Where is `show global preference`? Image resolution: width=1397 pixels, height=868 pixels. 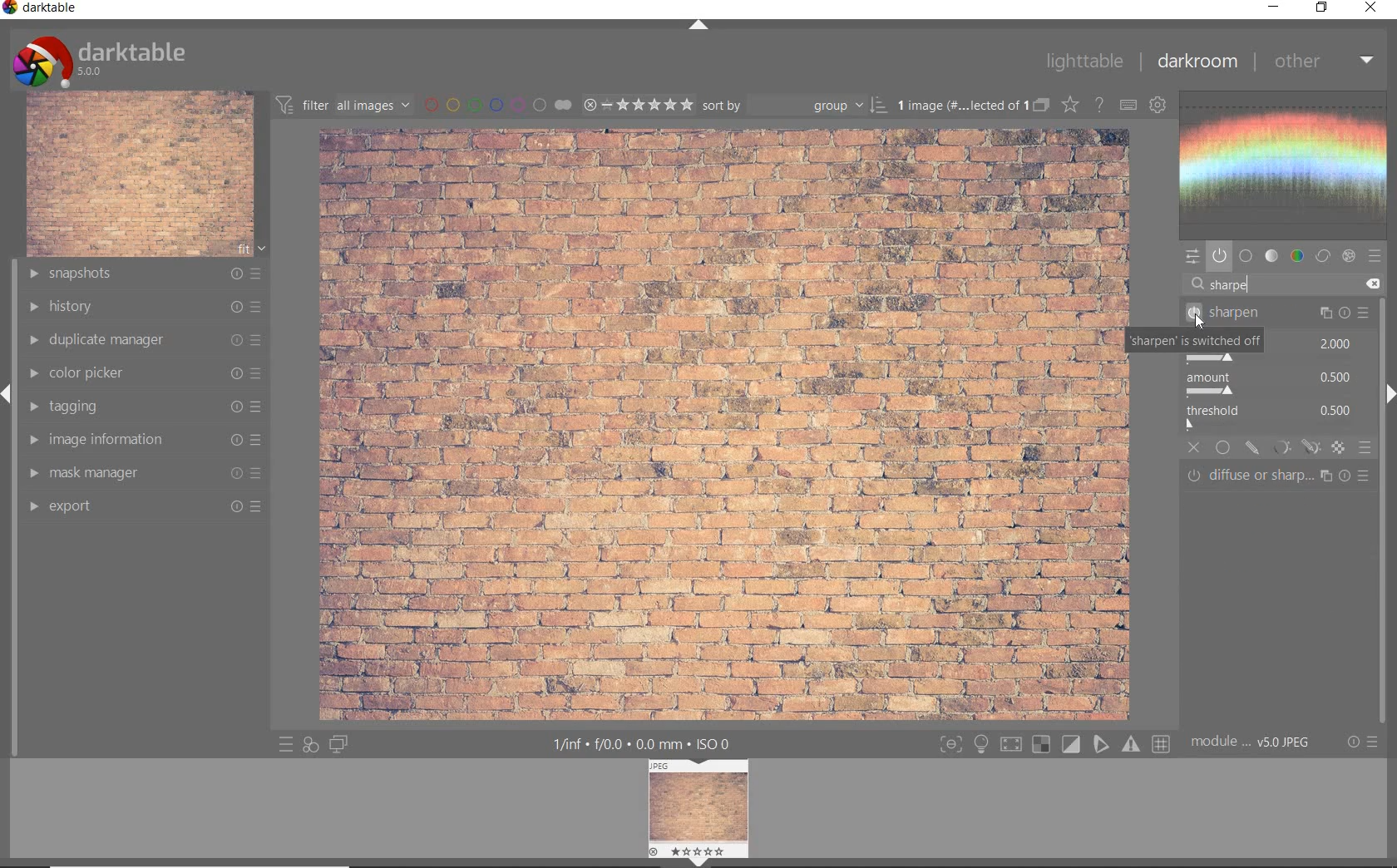 show global preference is located at coordinates (1157, 106).